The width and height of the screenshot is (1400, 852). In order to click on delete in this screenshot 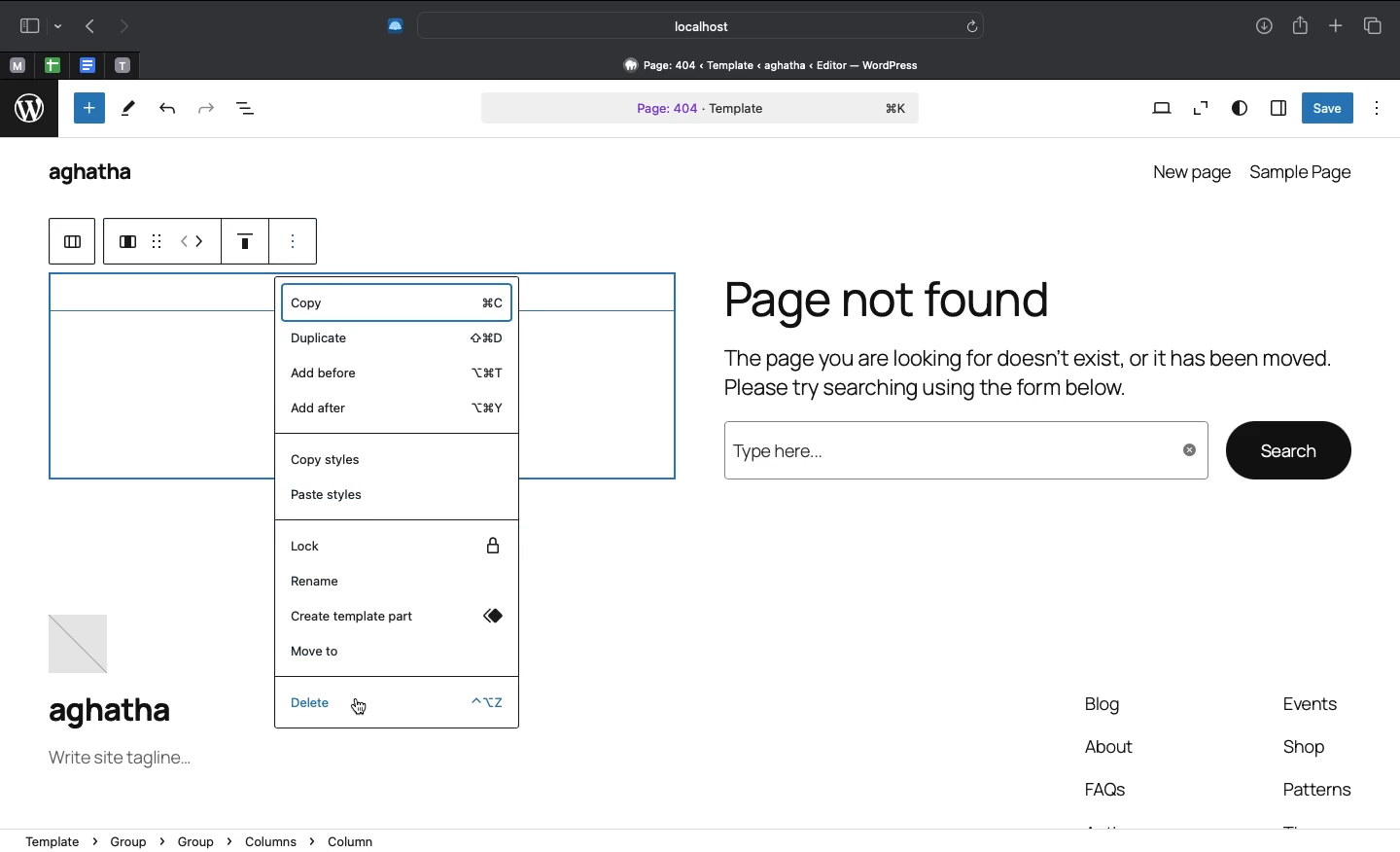, I will do `click(397, 704)`.